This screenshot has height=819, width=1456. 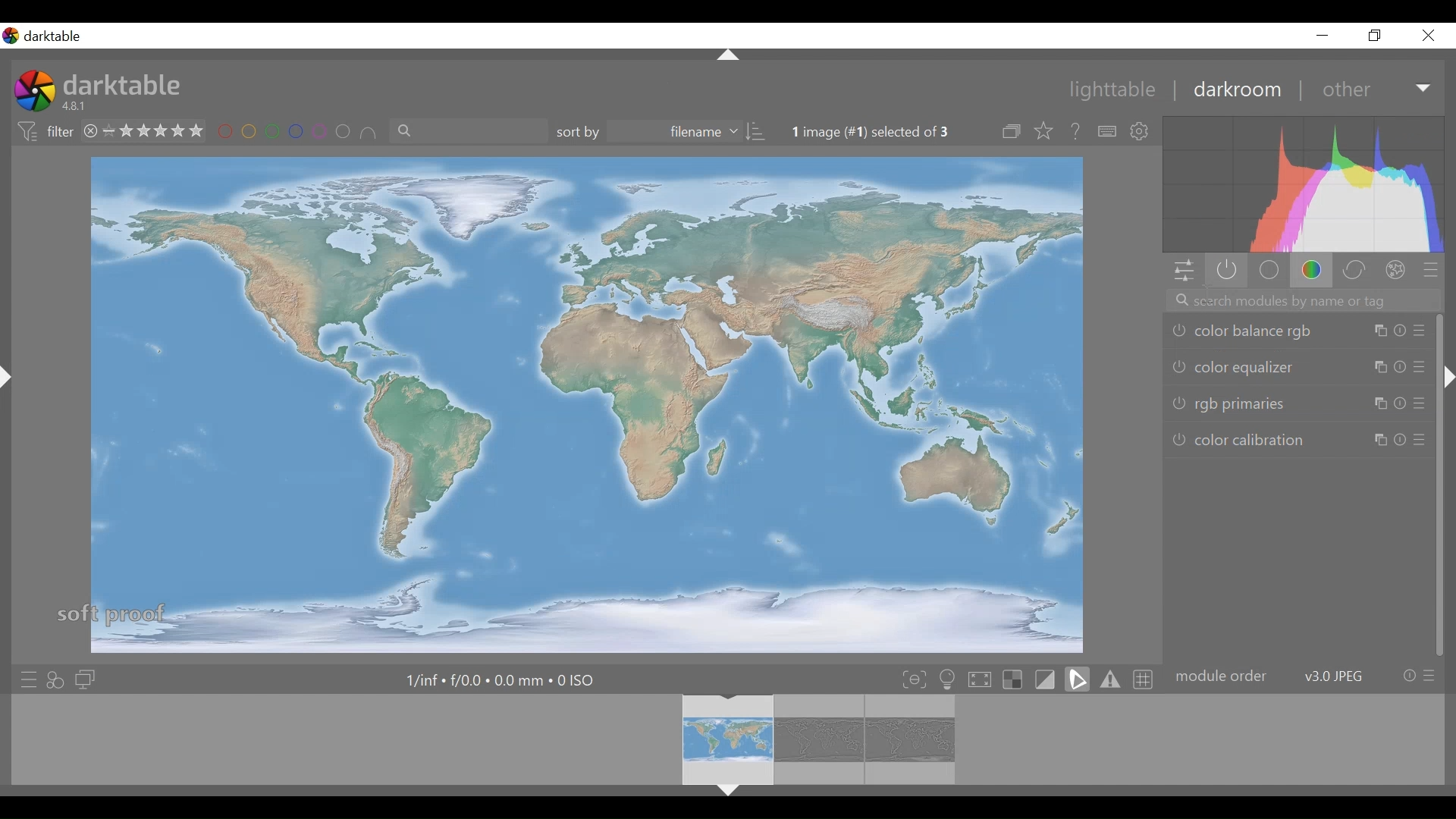 I want to click on , so click(x=11, y=387).